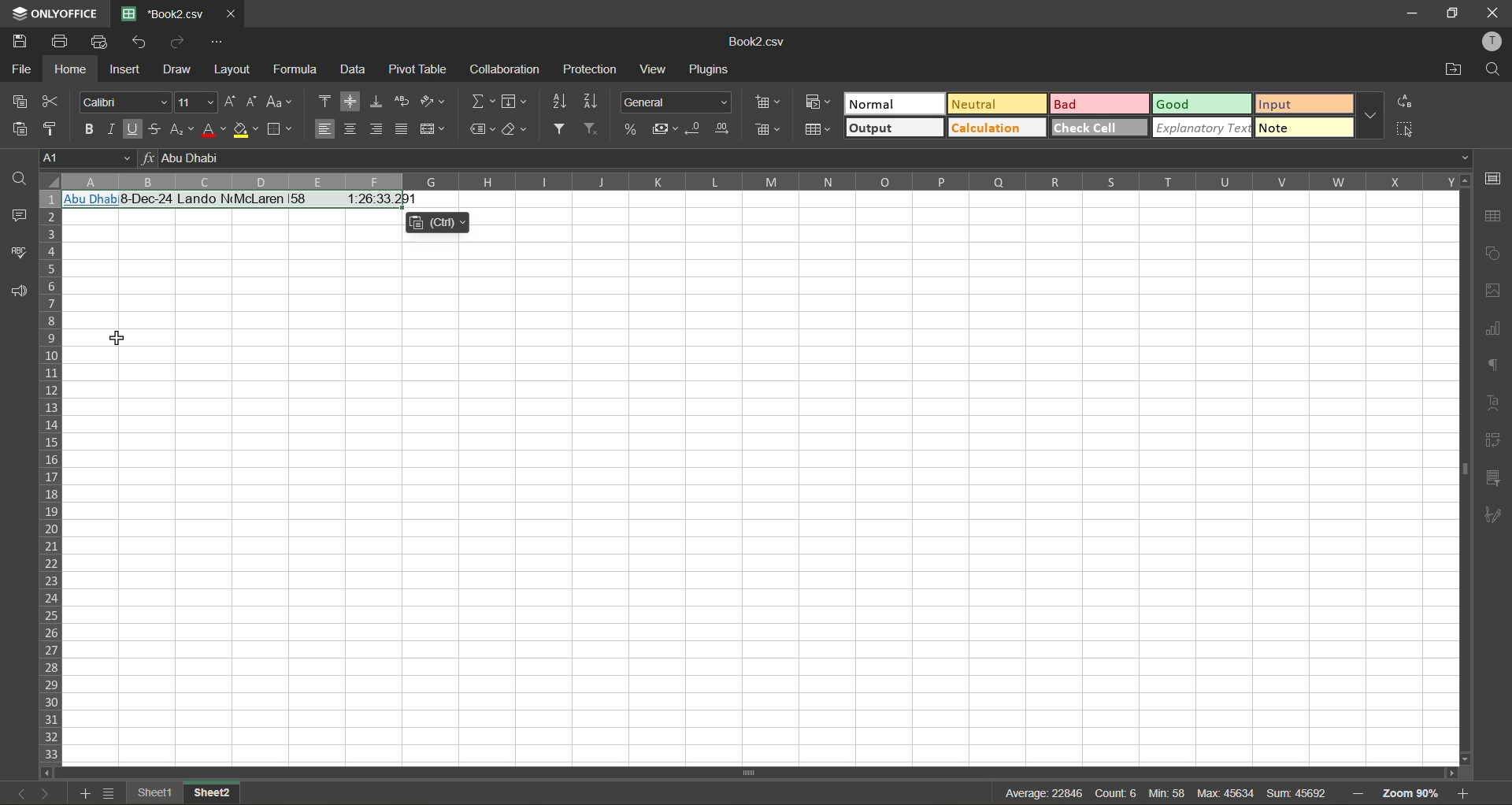 The width and height of the screenshot is (1512, 805). I want to click on insert, so click(127, 72).